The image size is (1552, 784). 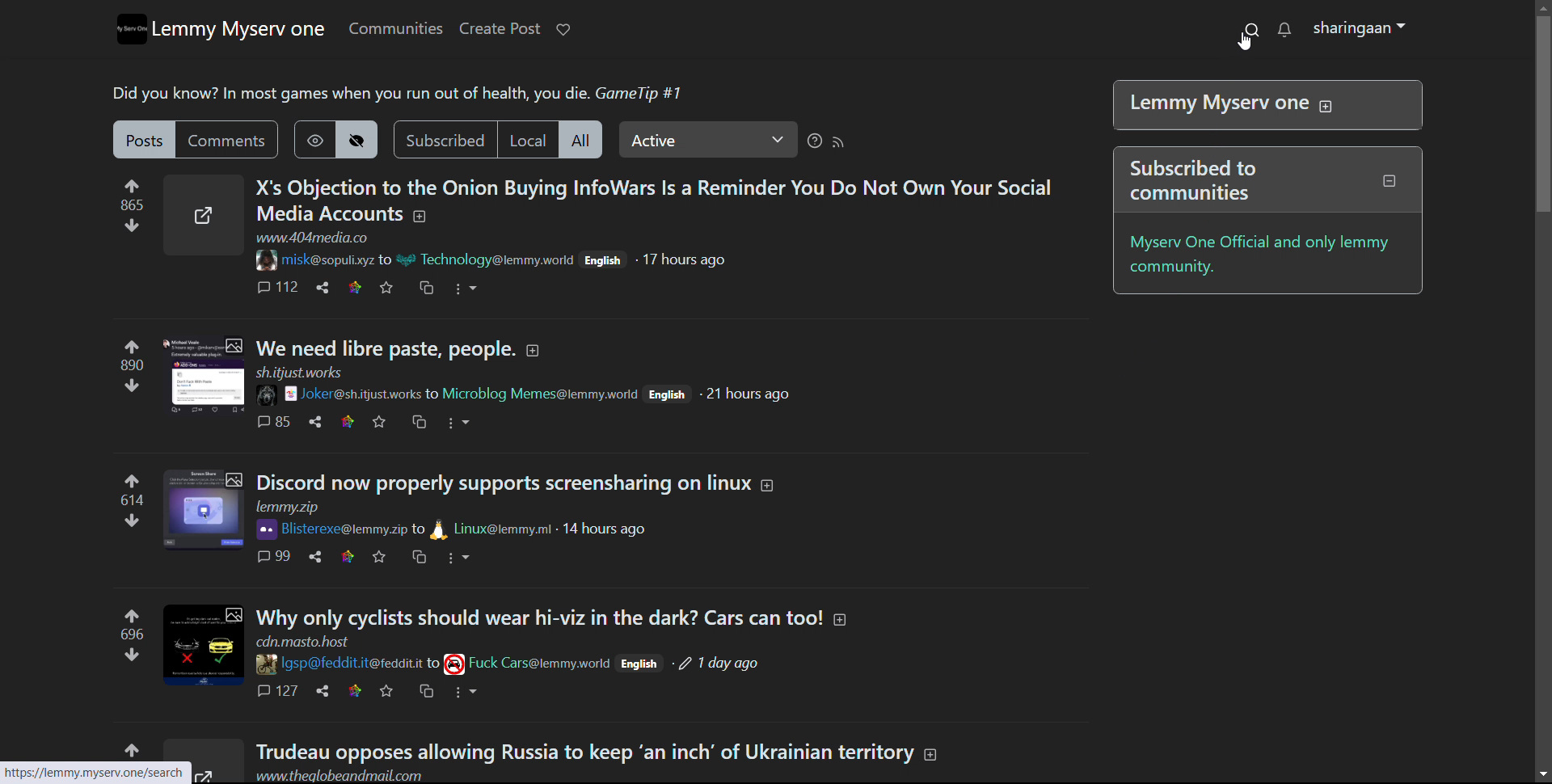 I want to click on communities, so click(x=394, y=28).